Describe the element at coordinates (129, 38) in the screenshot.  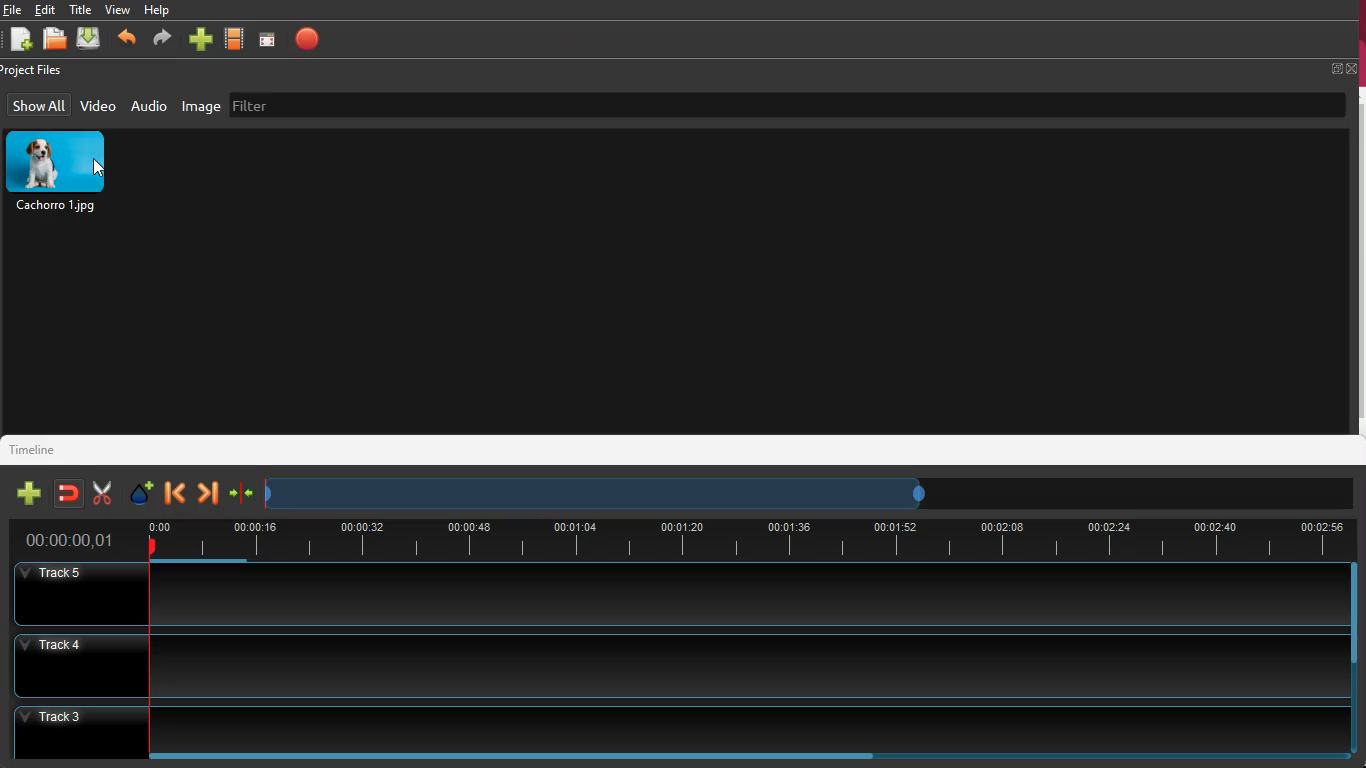
I see `back` at that location.